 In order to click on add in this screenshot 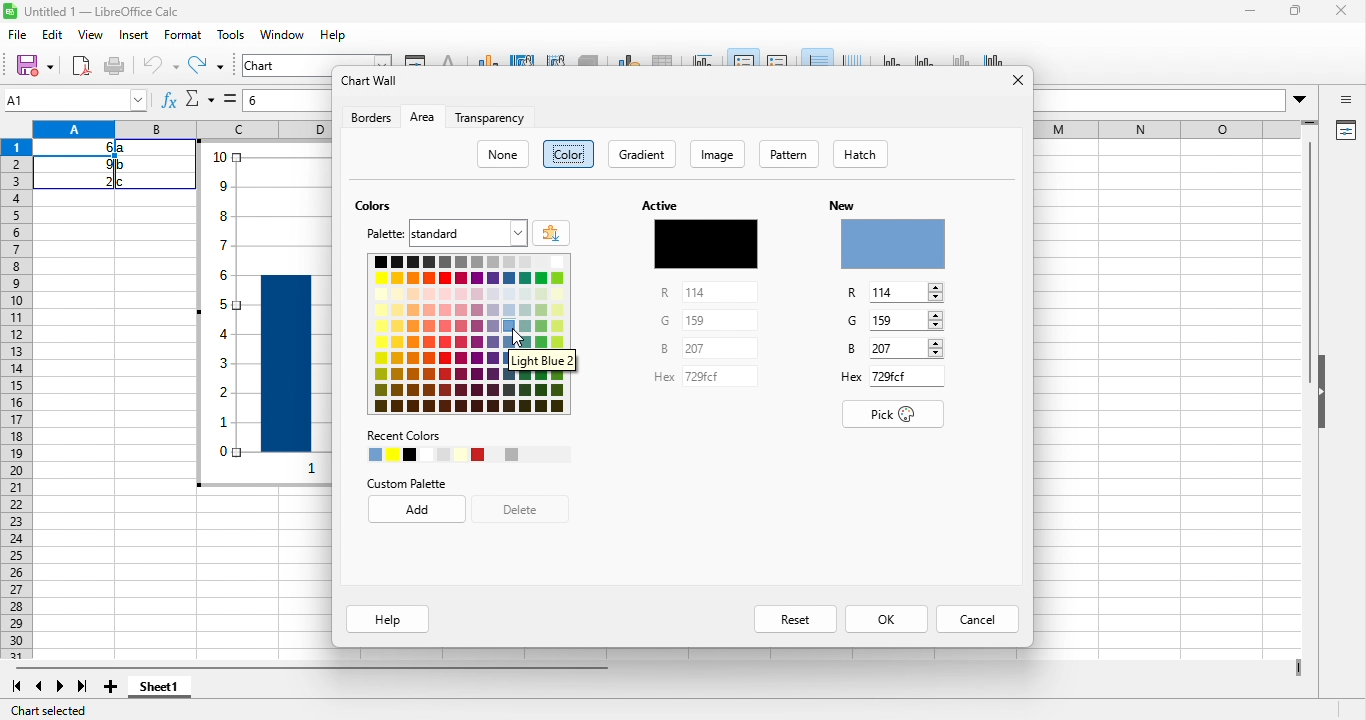, I will do `click(414, 510)`.